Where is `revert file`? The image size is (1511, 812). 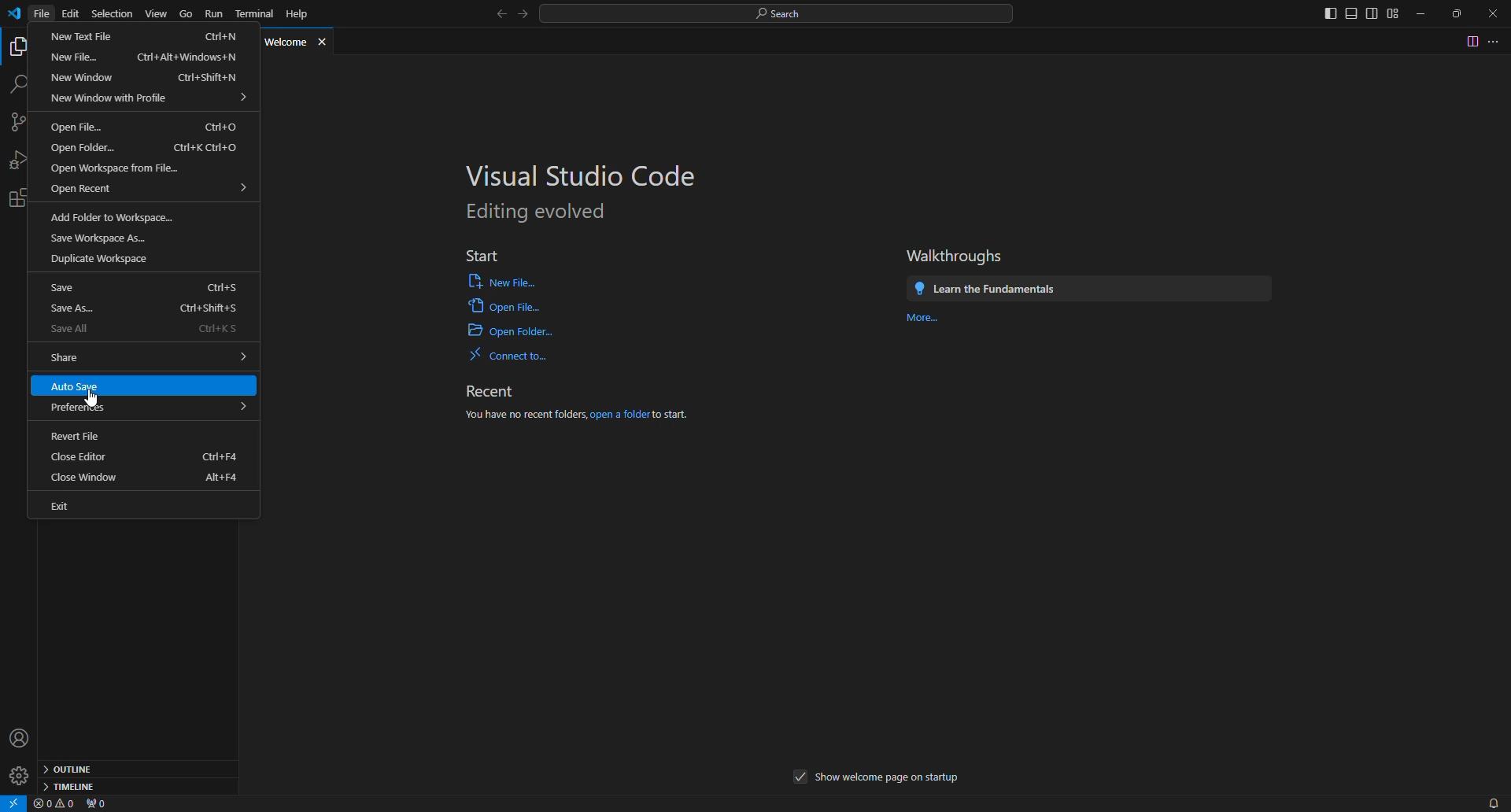 revert file is located at coordinates (76, 436).